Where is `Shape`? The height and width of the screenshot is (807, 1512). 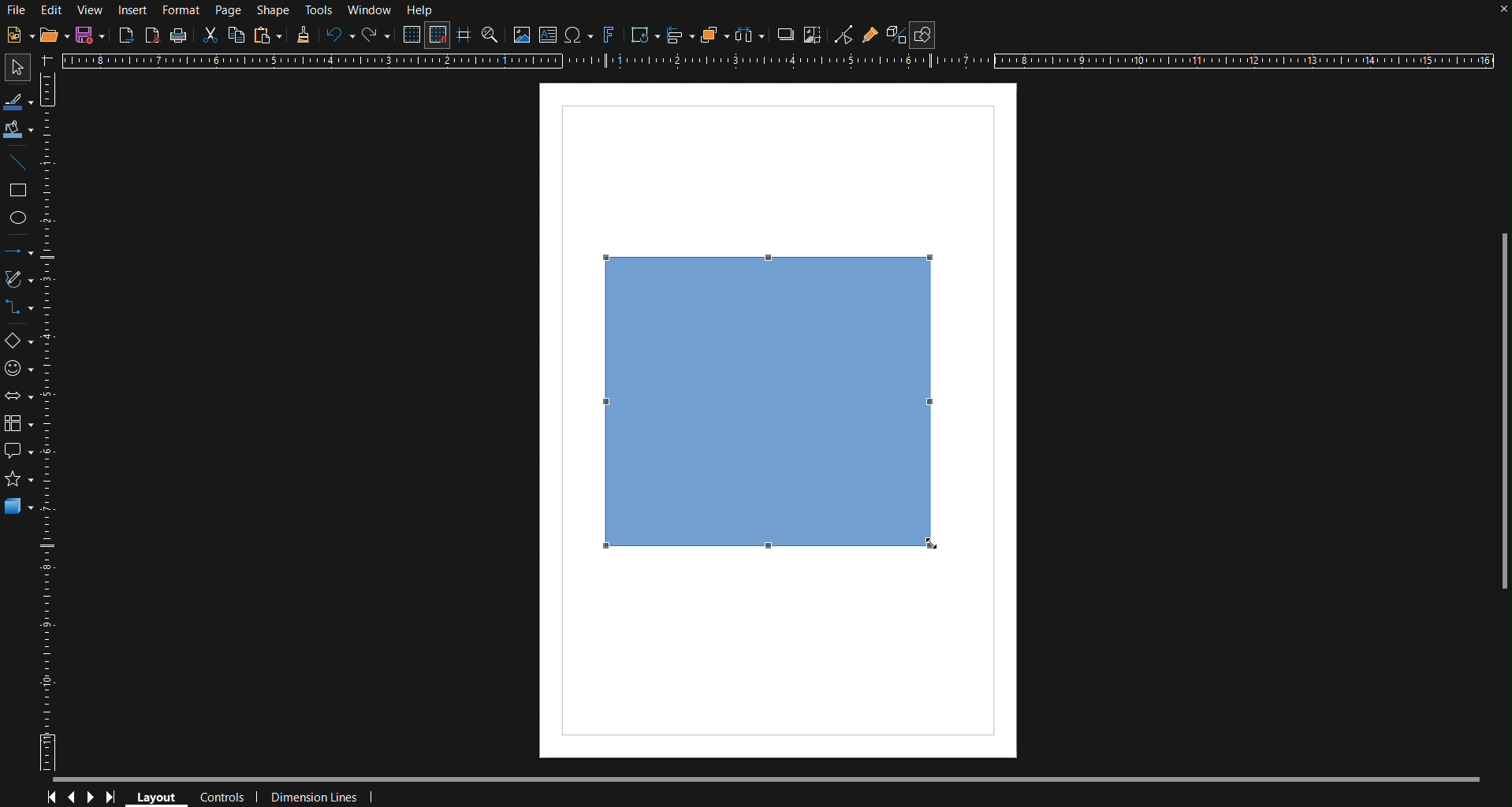 Shape is located at coordinates (274, 11).